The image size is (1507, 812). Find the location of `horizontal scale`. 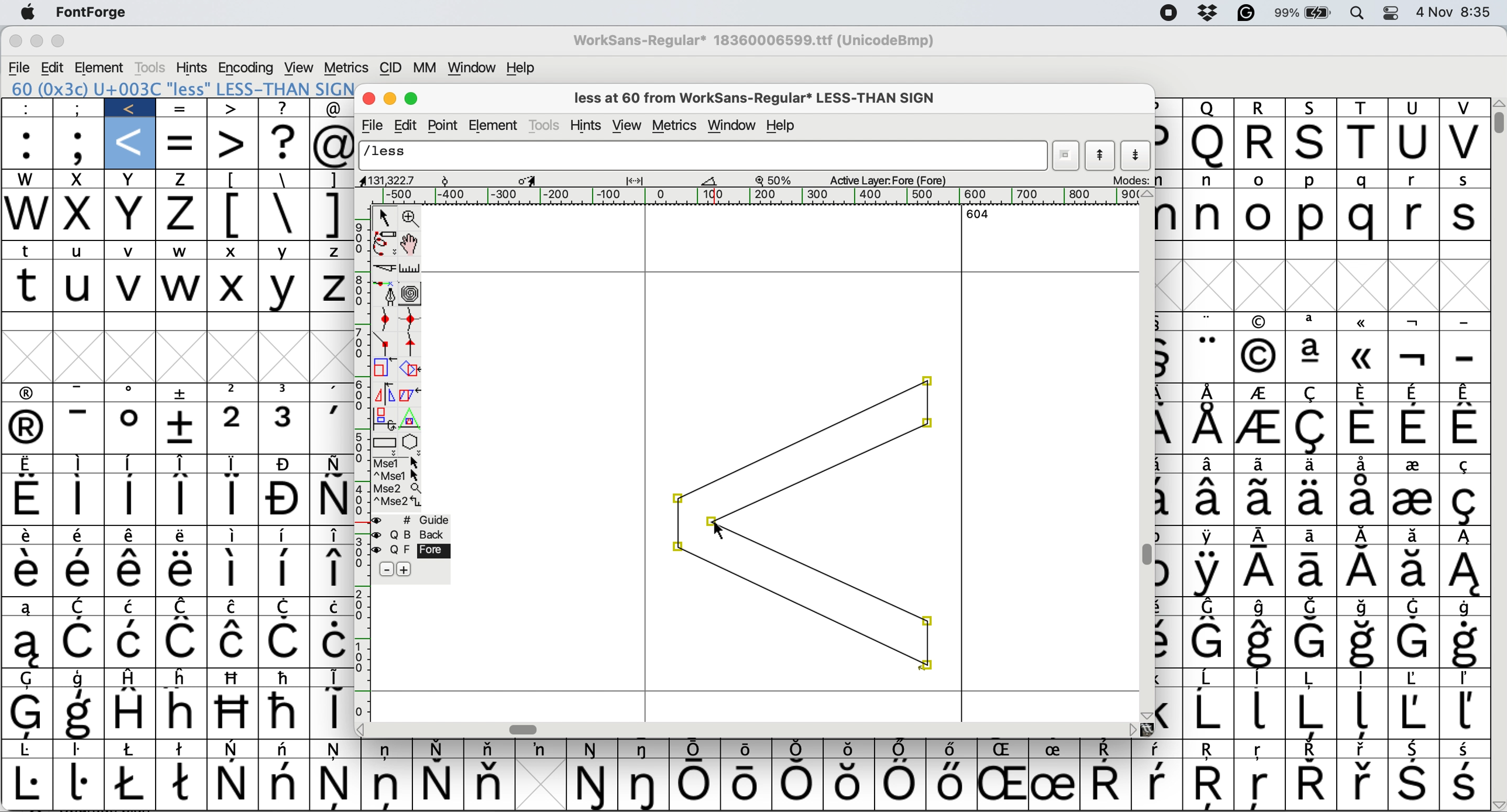

horizontal scale is located at coordinates (748, 198).